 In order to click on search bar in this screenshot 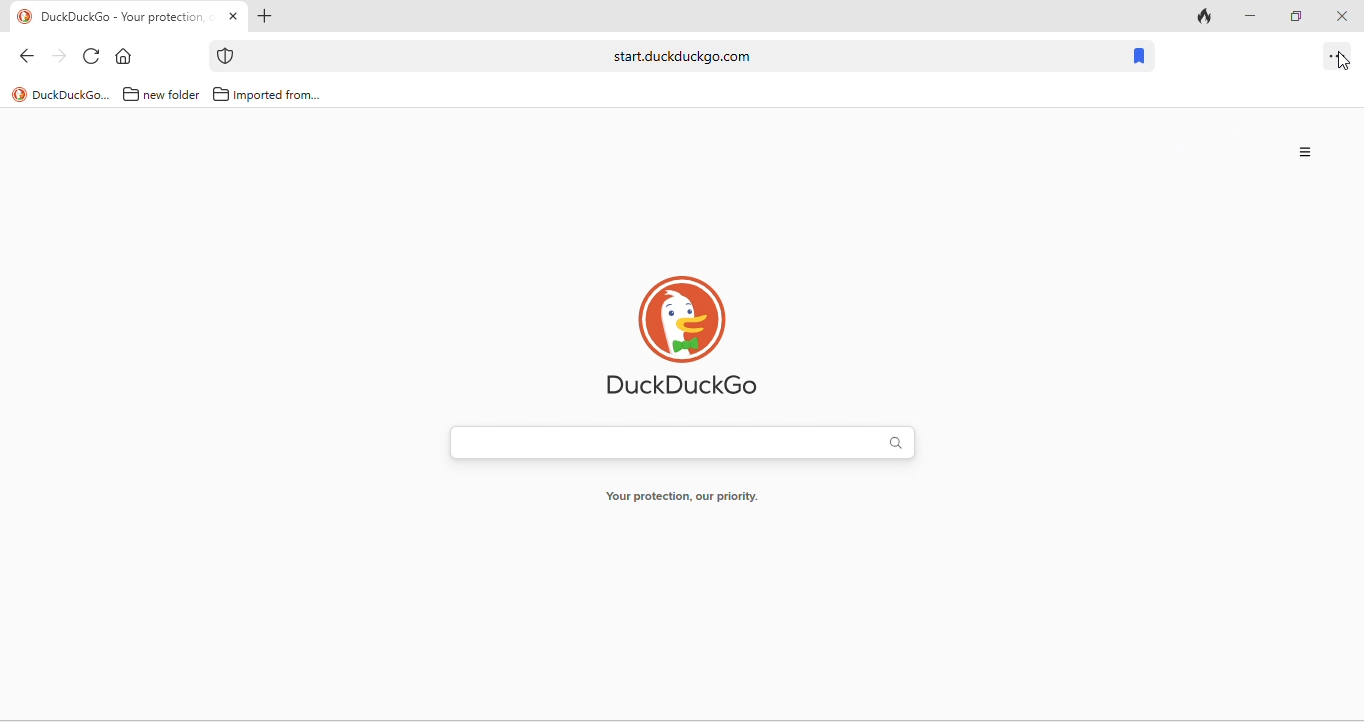, I will do `click(679, 438)`.